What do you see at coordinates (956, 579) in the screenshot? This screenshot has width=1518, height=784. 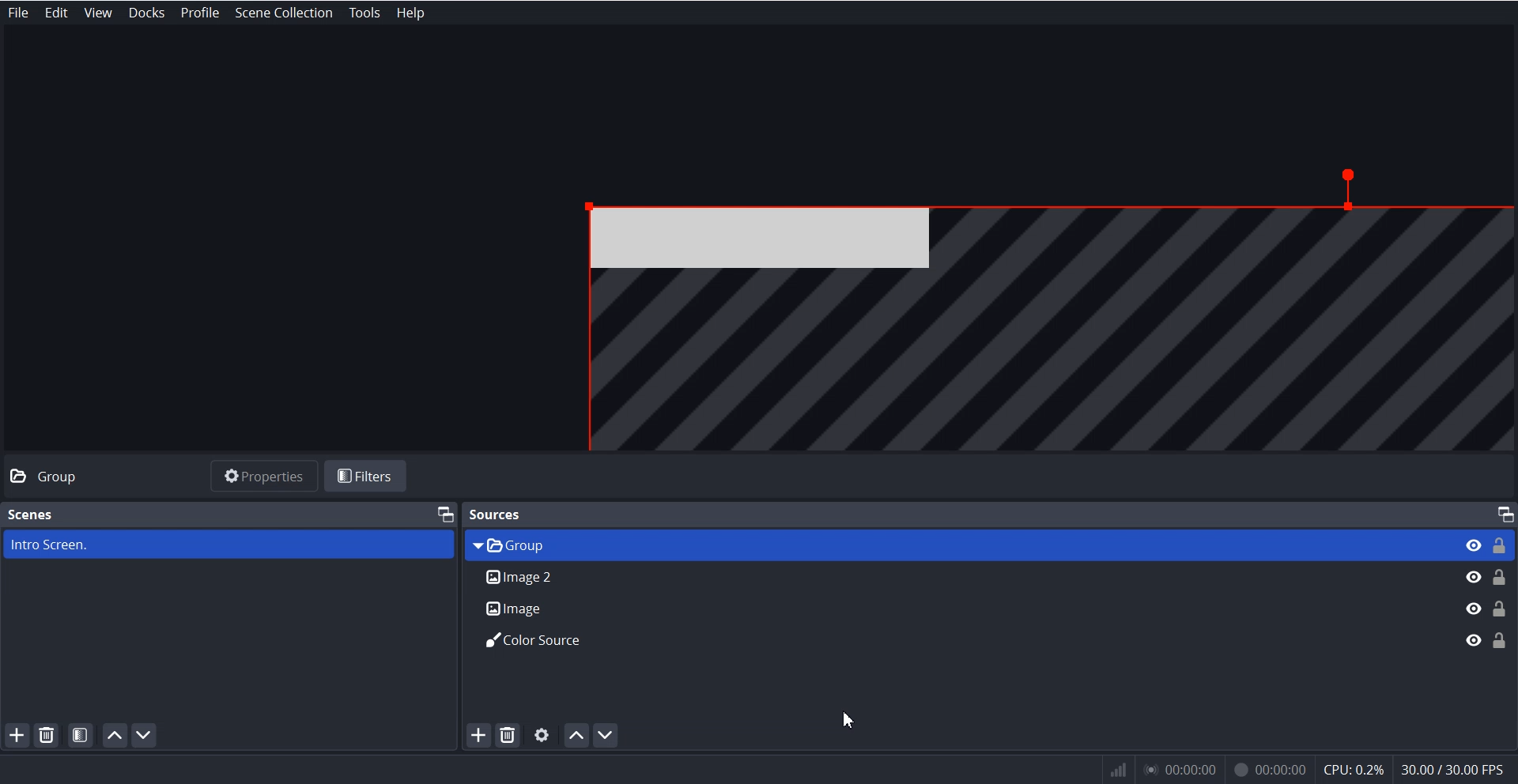 I see `Image 2` at bounding box center [956, 579].